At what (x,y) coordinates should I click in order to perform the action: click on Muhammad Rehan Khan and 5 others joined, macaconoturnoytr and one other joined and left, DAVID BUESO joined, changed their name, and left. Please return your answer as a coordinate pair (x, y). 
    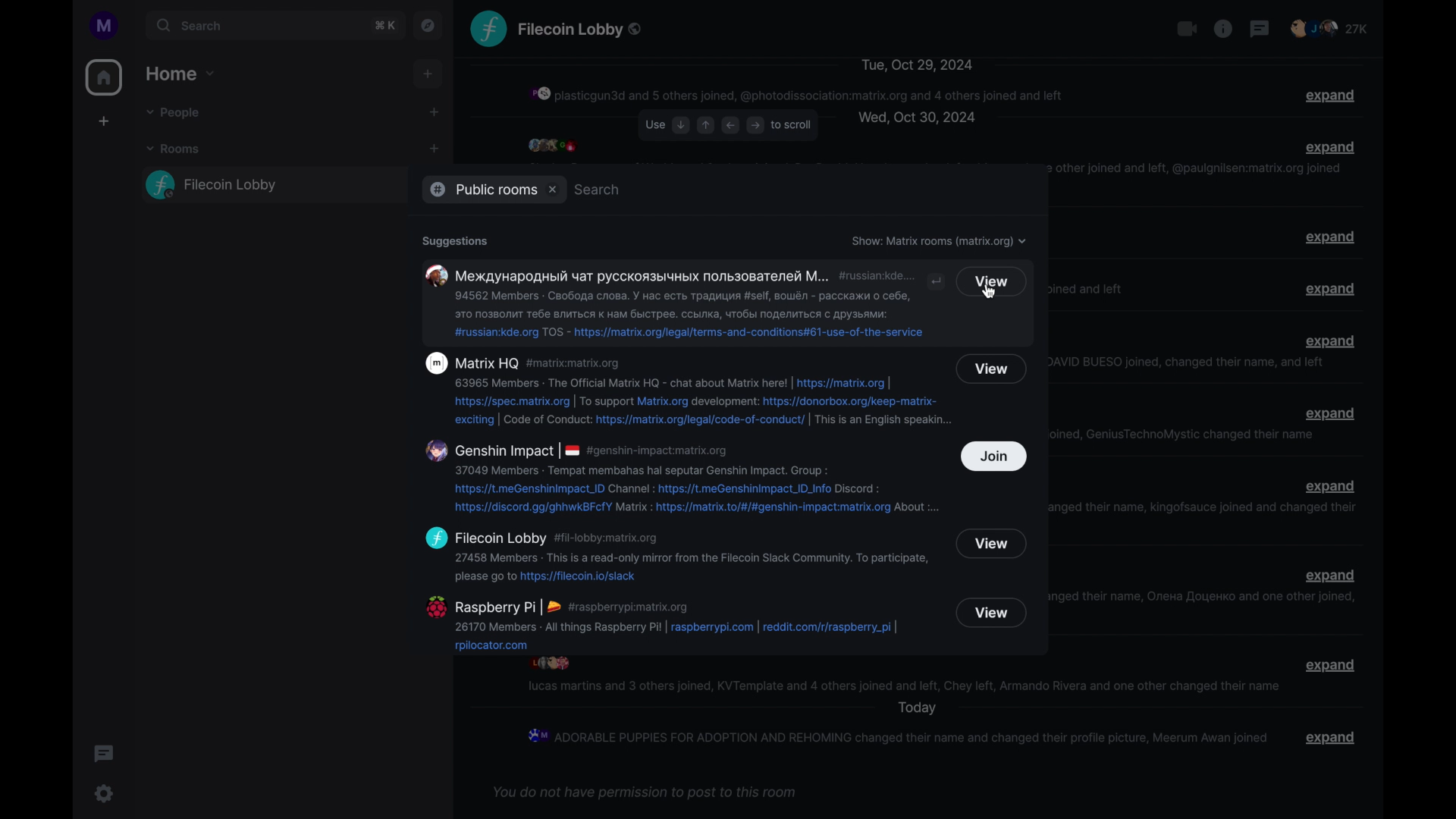
    Looking at the image, I should click on (1191, 362).